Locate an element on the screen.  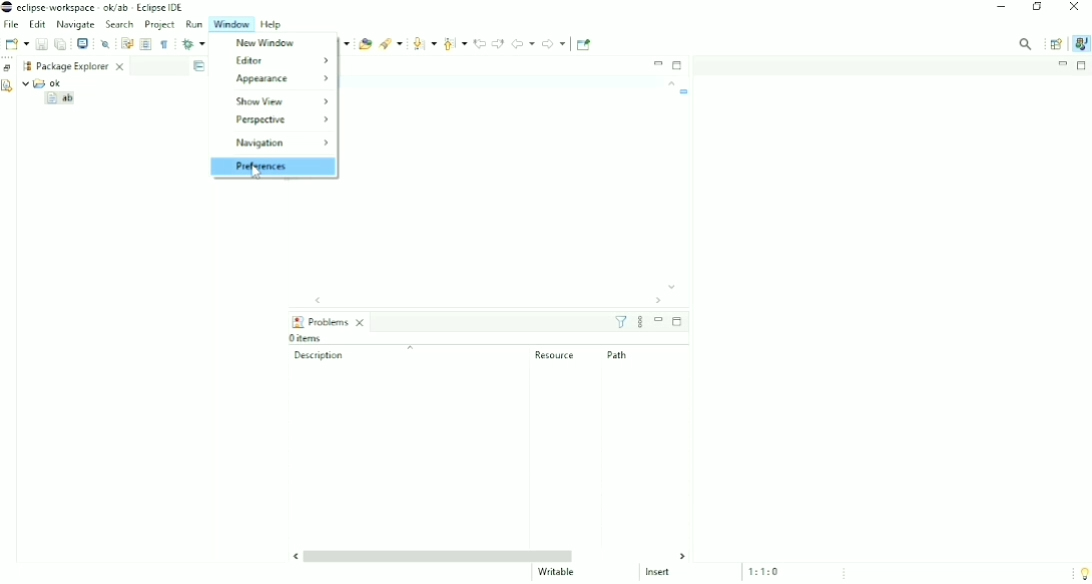
Save is located at coordinates (41, 44).